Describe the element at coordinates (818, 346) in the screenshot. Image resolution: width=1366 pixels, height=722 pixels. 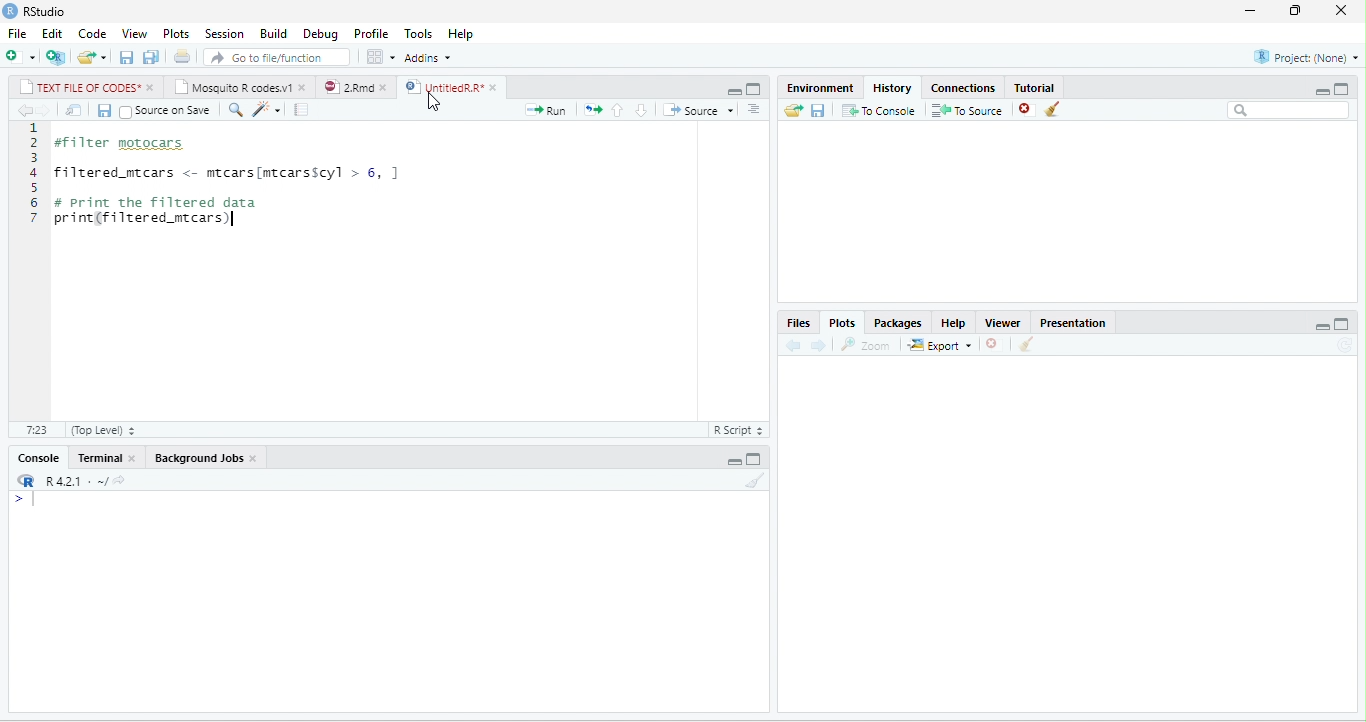
I see `forward` at that location.